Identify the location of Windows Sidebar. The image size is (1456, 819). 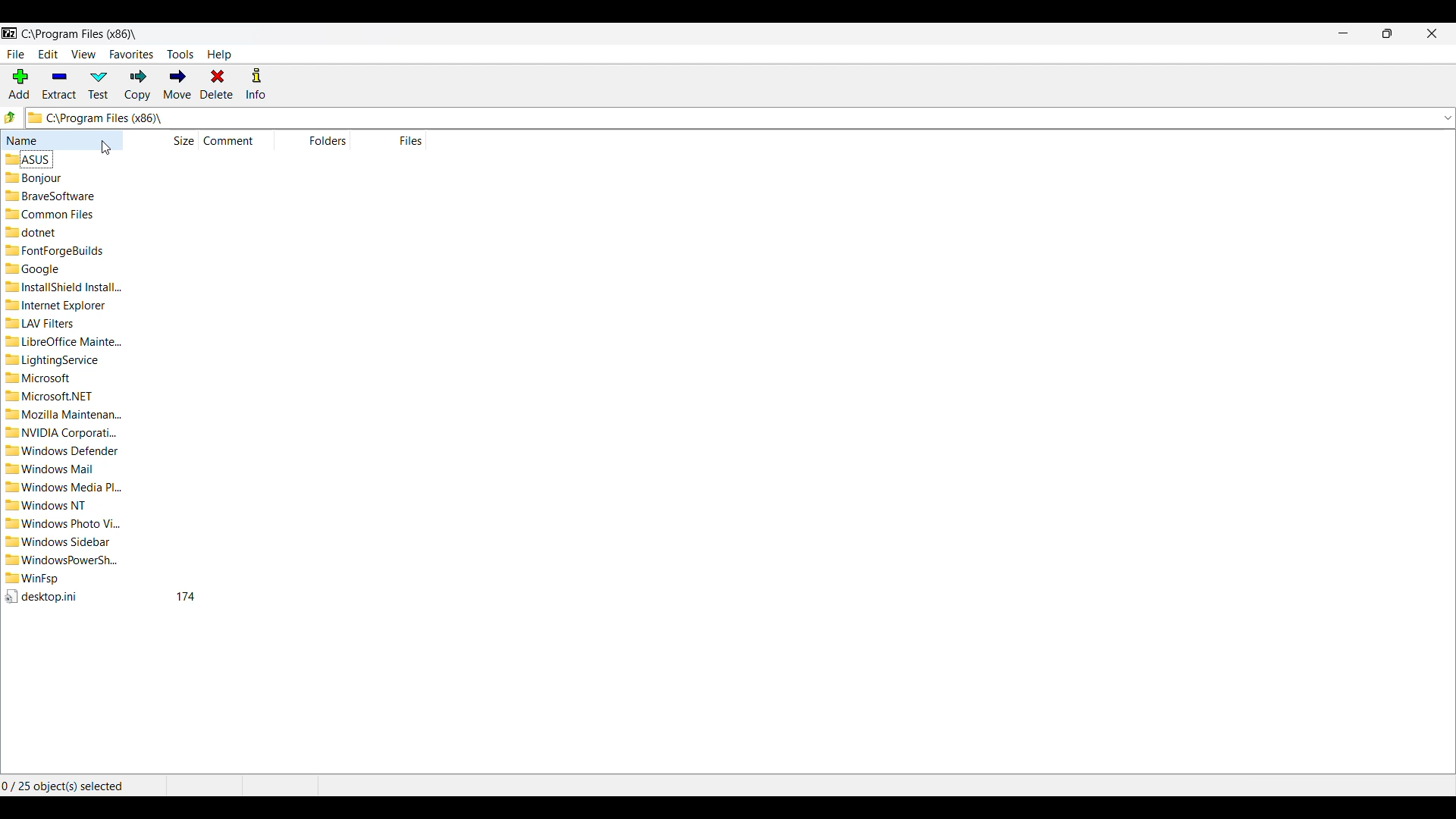
(58, 541).